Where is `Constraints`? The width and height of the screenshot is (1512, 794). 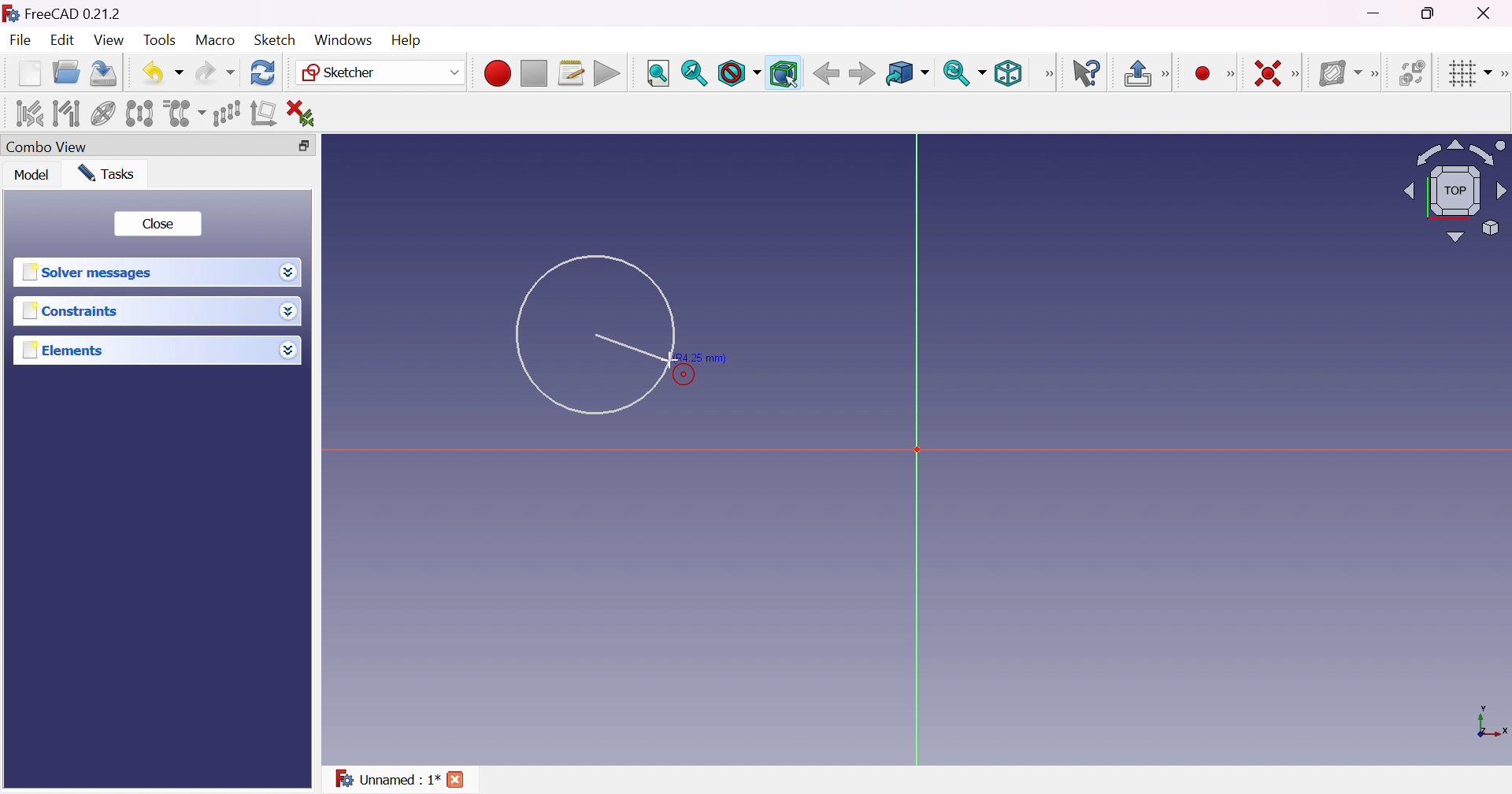
Constraints is located at coordinates (74, 311).